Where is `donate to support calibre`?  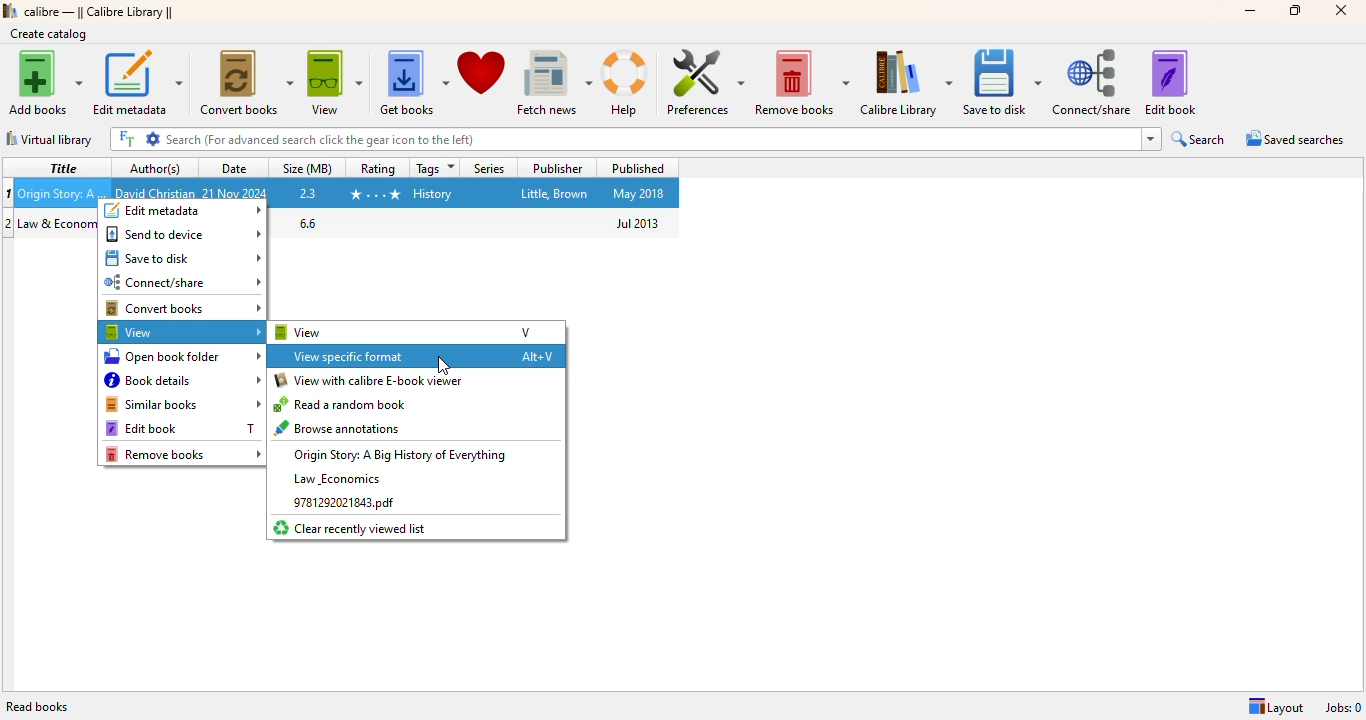
donate to support calibre is located at coordinates (482, 73).